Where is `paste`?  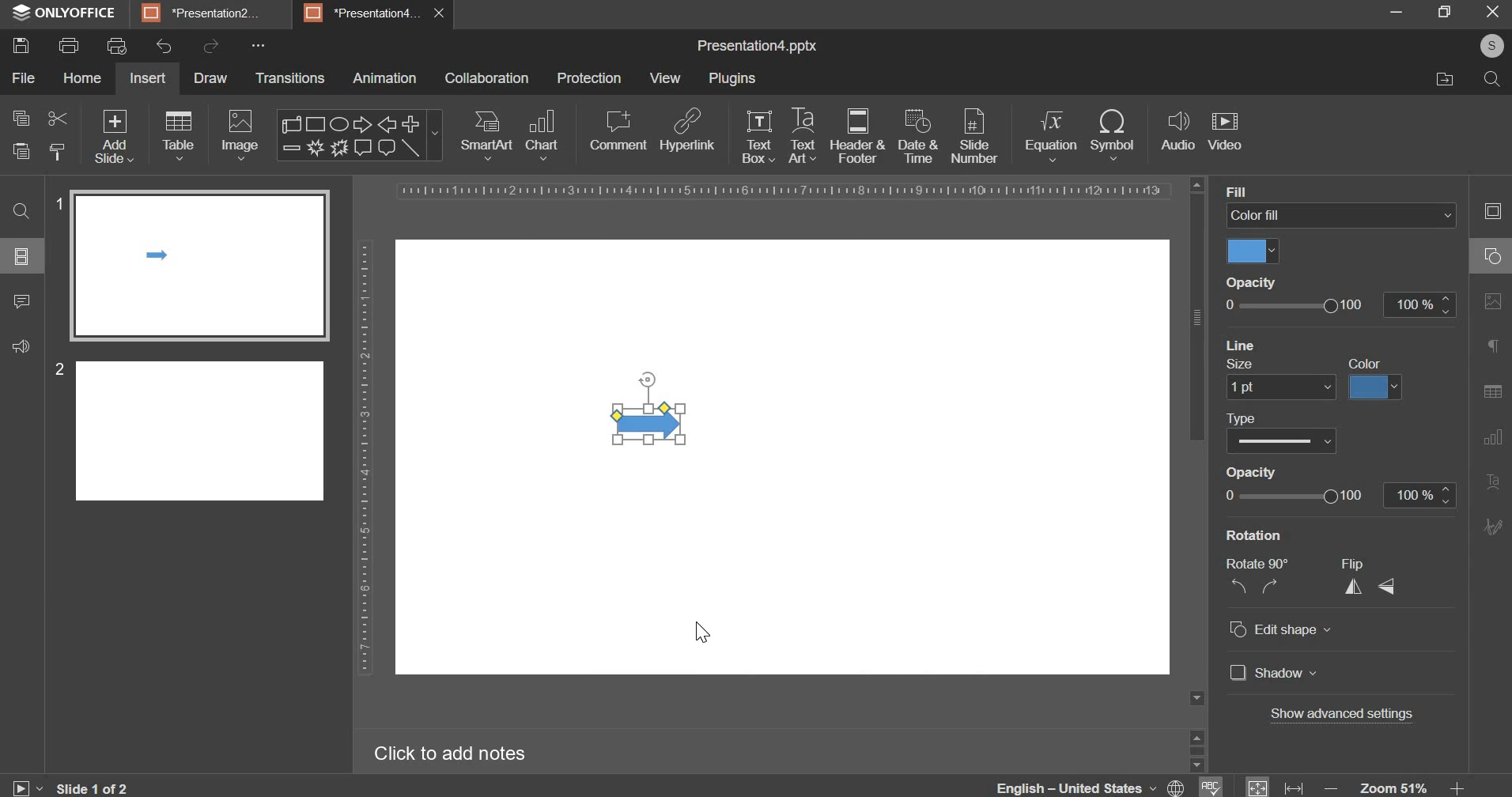 paste is located at coordinates (19, 151).